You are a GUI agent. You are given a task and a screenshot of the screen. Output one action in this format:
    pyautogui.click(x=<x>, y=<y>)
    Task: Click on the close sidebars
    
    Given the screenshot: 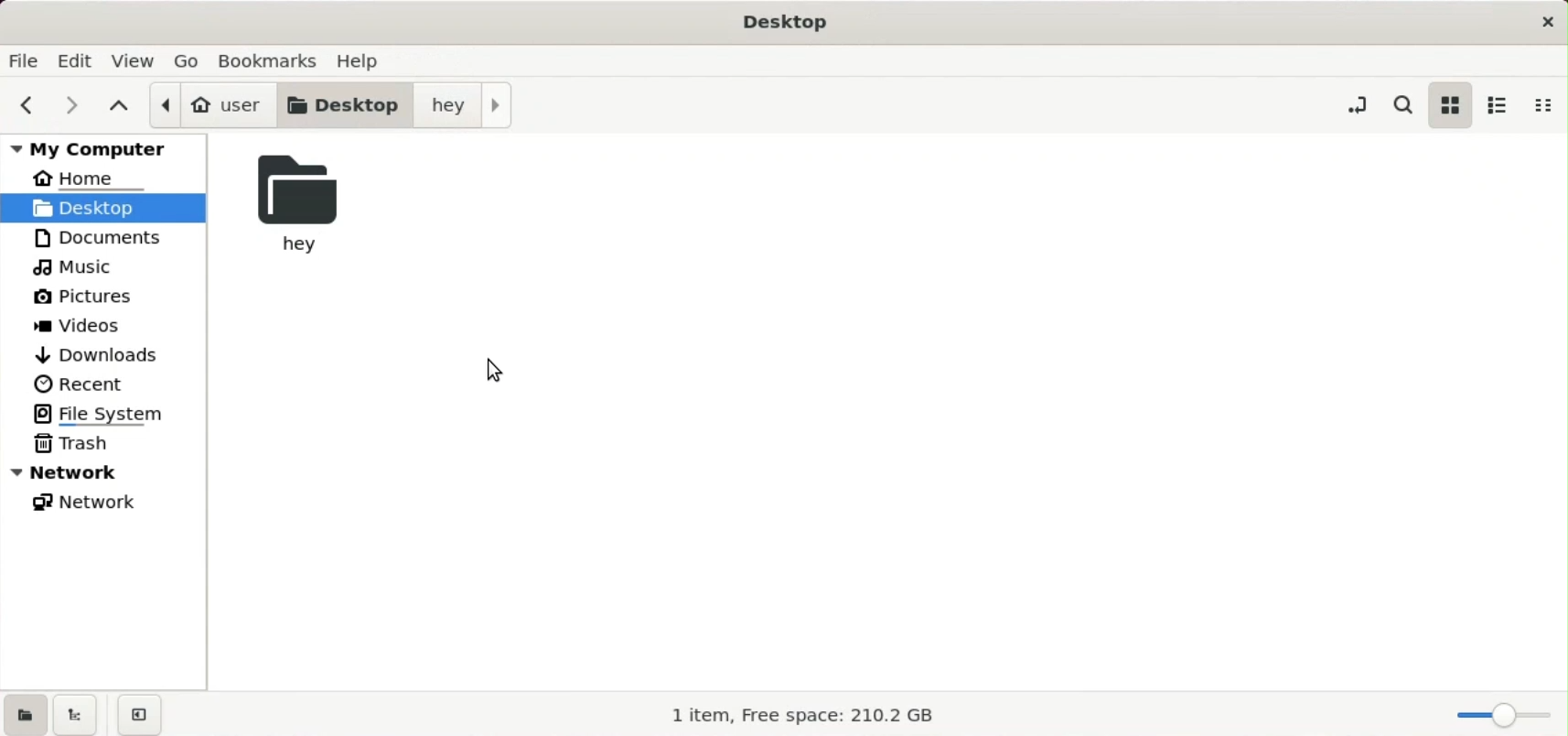 What is the action you would take?
    pyautogui.click(x=143, y=715)
    